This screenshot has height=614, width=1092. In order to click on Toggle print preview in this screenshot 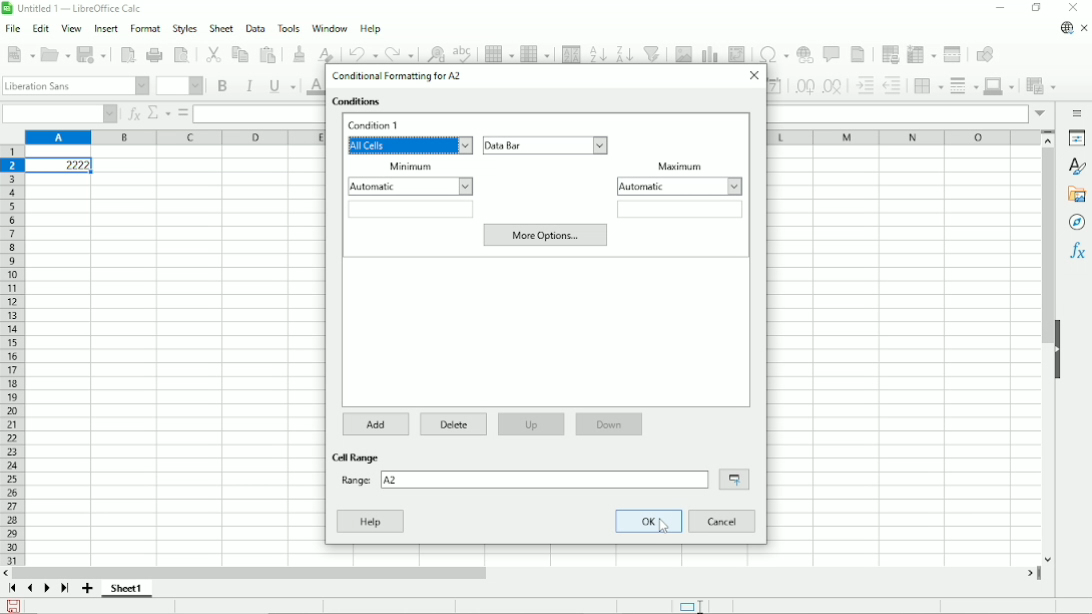, I will do `click(182, 54)`.